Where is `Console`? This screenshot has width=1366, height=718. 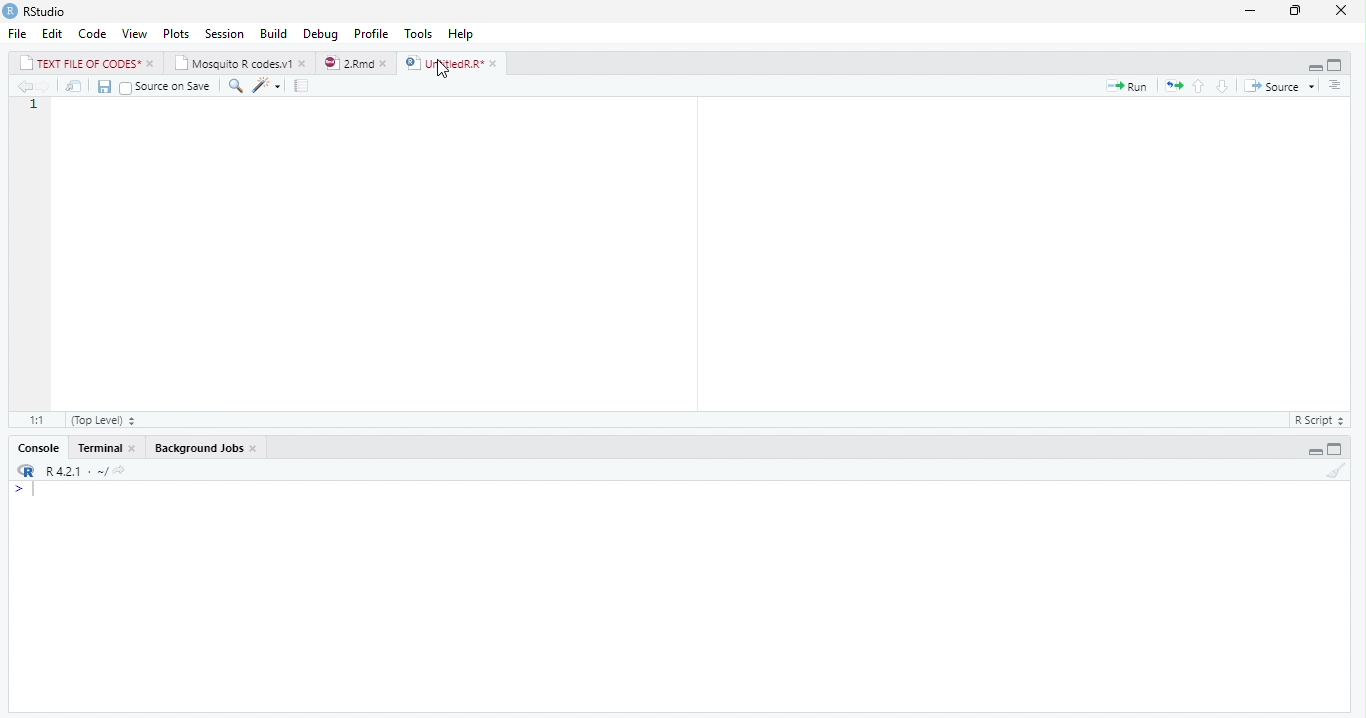 Console is located at coordinates (104, 448).